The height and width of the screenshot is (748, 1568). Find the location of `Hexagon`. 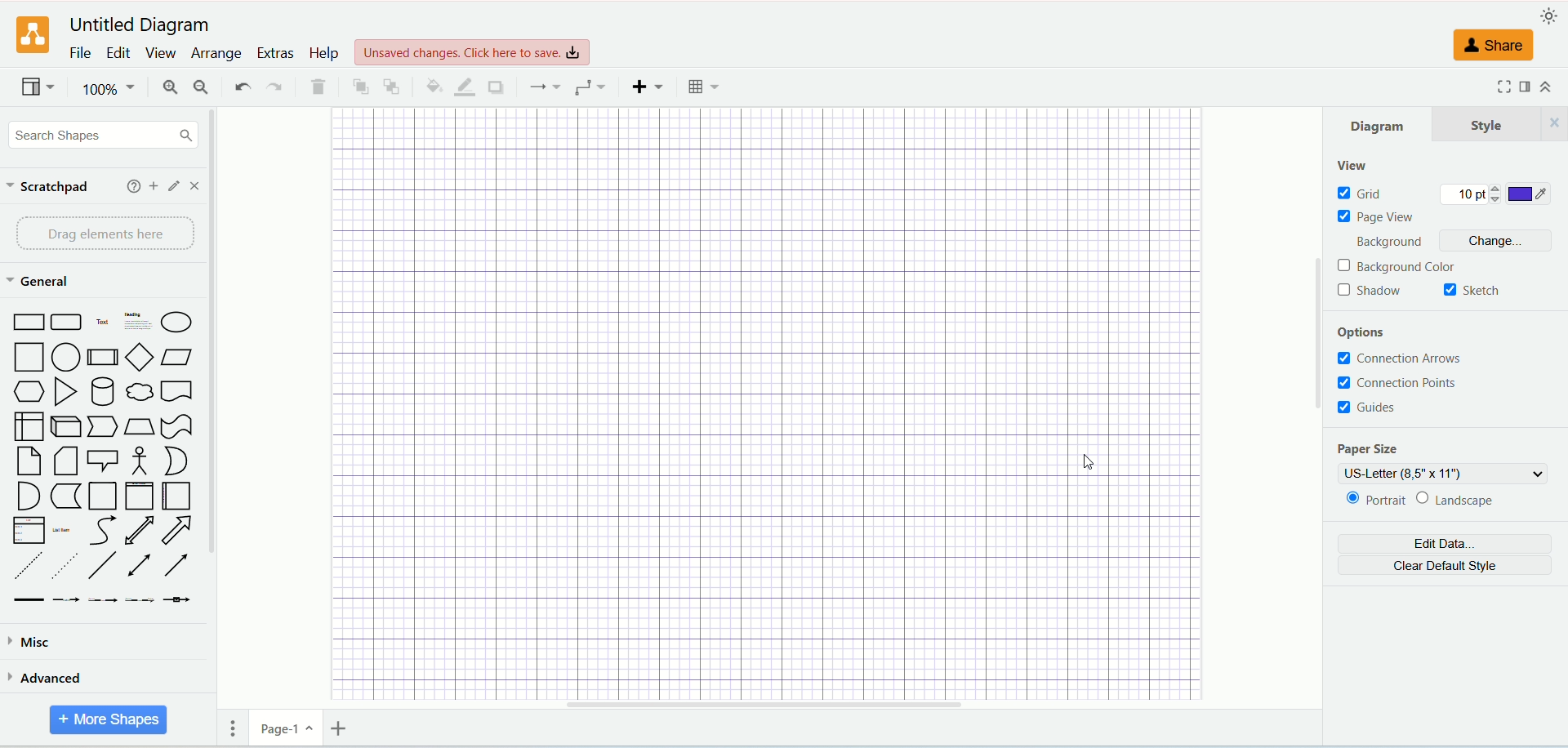

Hexagon is located at coordinates (30, 393).